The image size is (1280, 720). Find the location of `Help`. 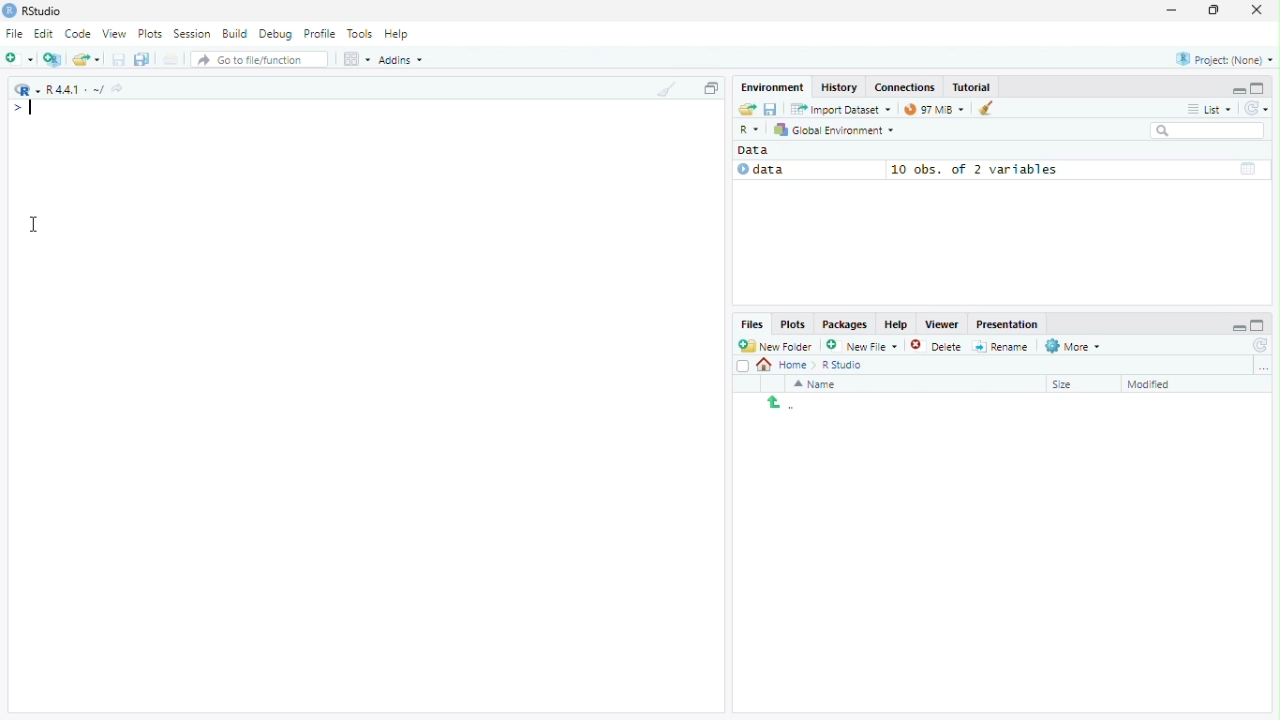

Help is located at coordinates (400, 35).